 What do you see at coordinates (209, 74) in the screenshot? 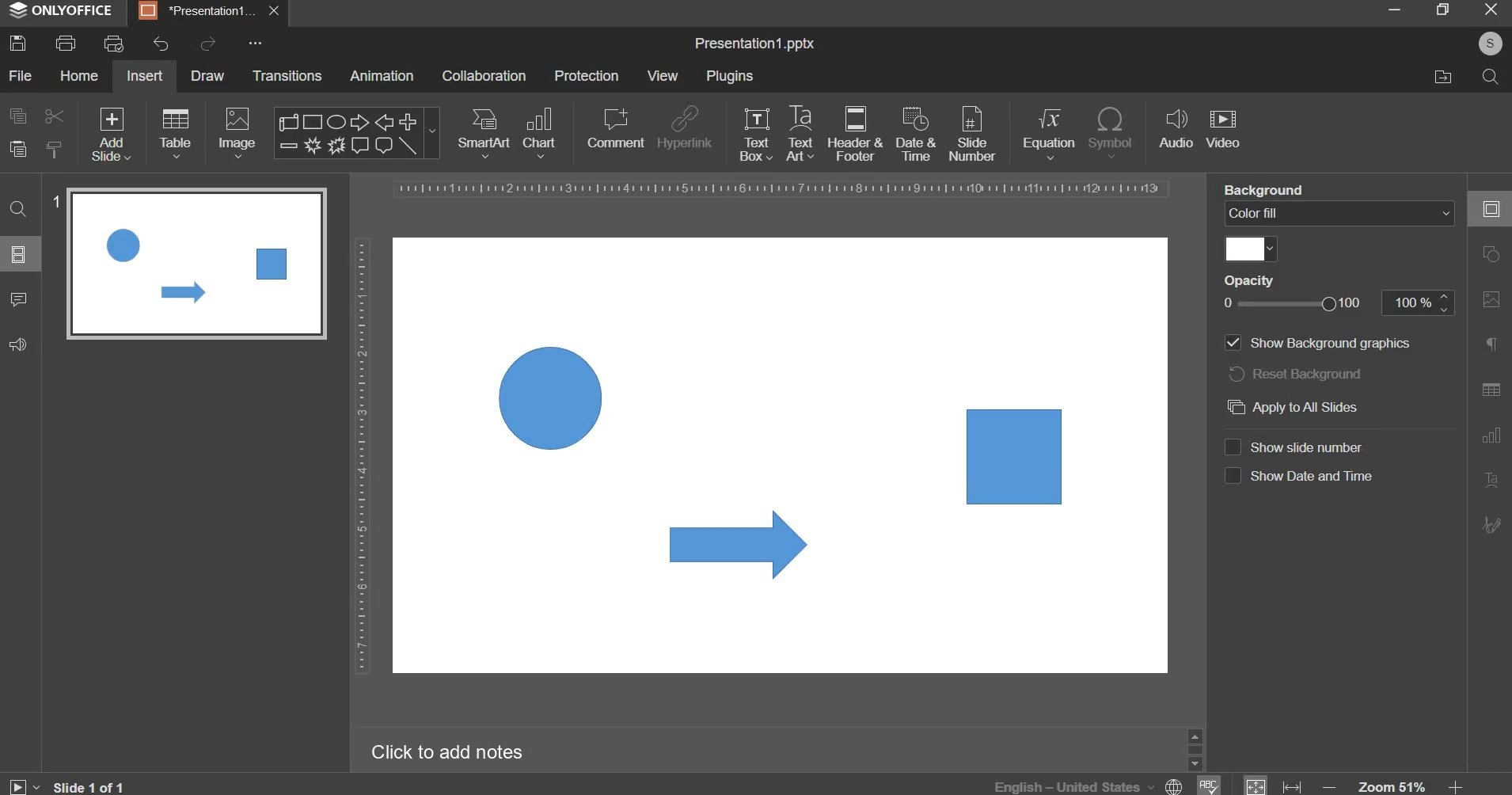
I see `draw` at bounding box center [209, 74].